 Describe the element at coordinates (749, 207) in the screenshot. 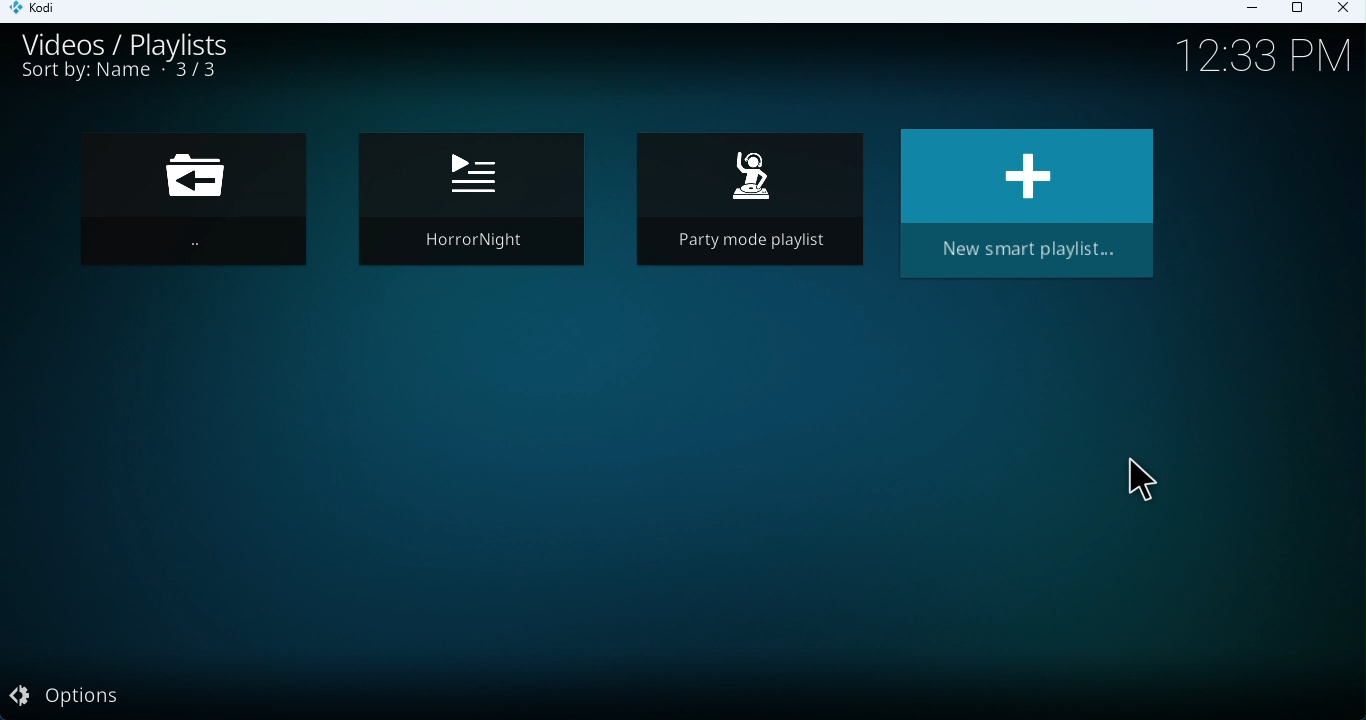

I see `Party mode playlist` at that location.